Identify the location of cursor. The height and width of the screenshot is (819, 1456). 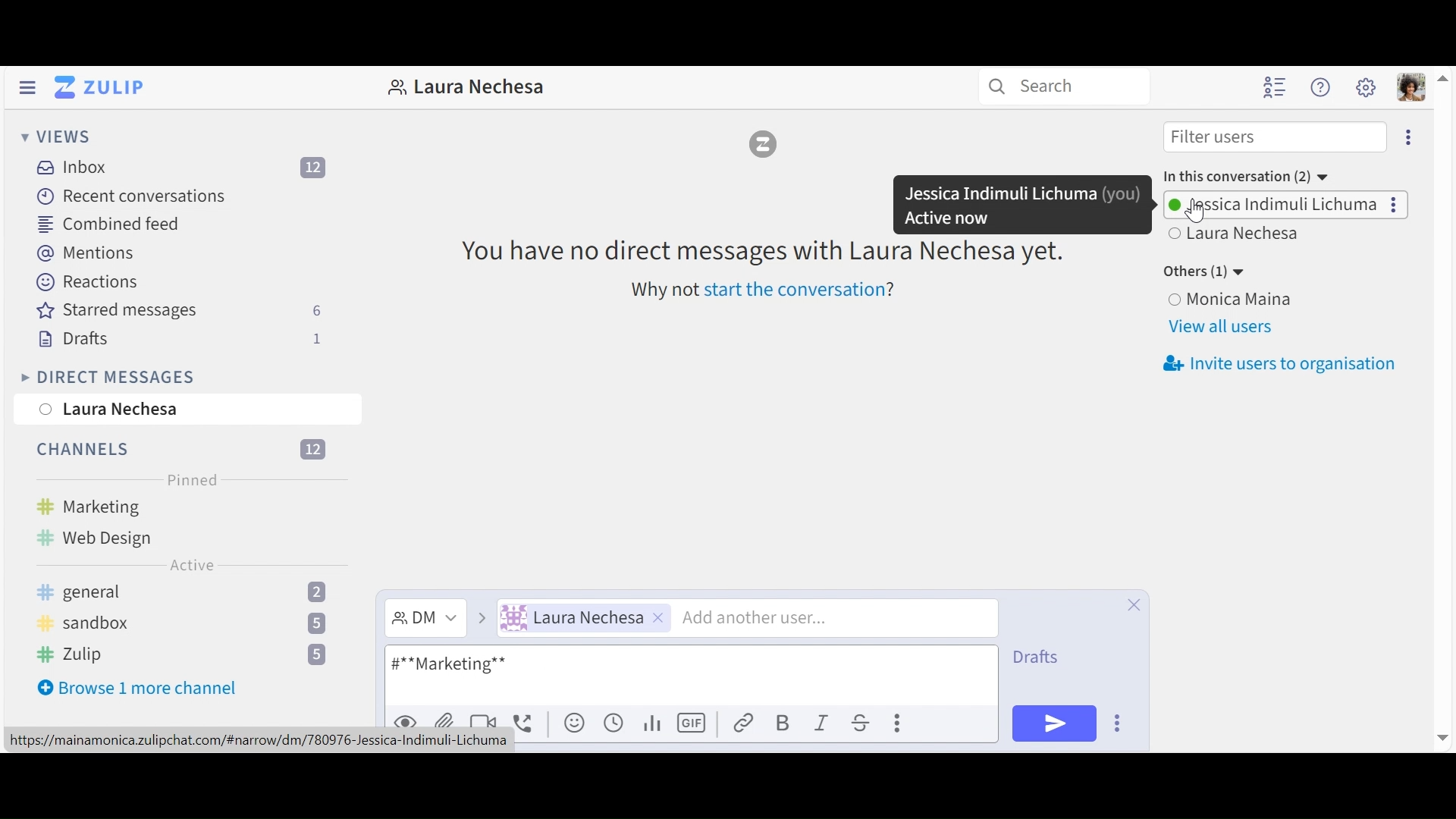
(1194, 214).